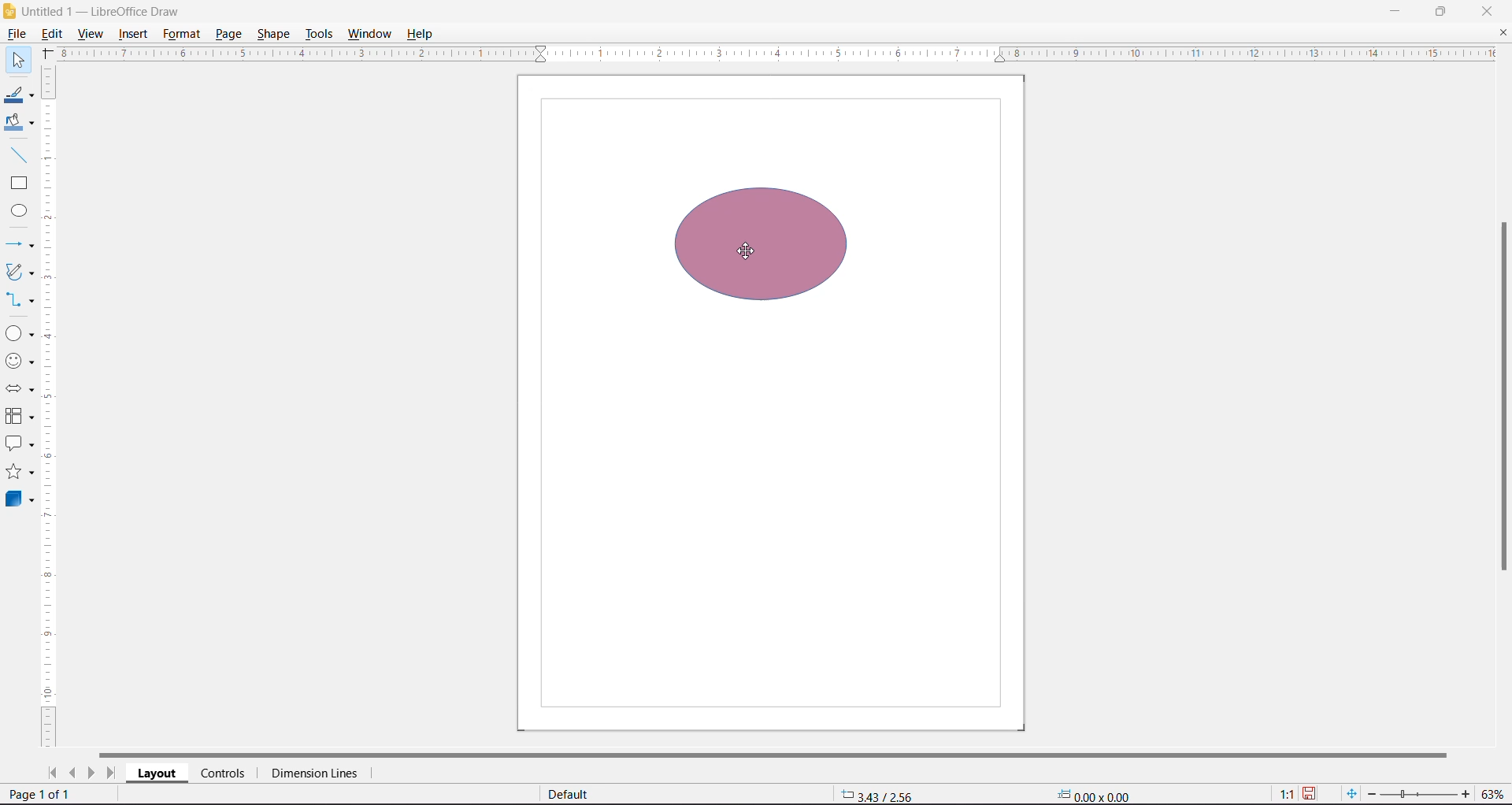  Describe the element at coordinates (1310, 795) in the screenshot. I see `Unsaved changes` at that location.